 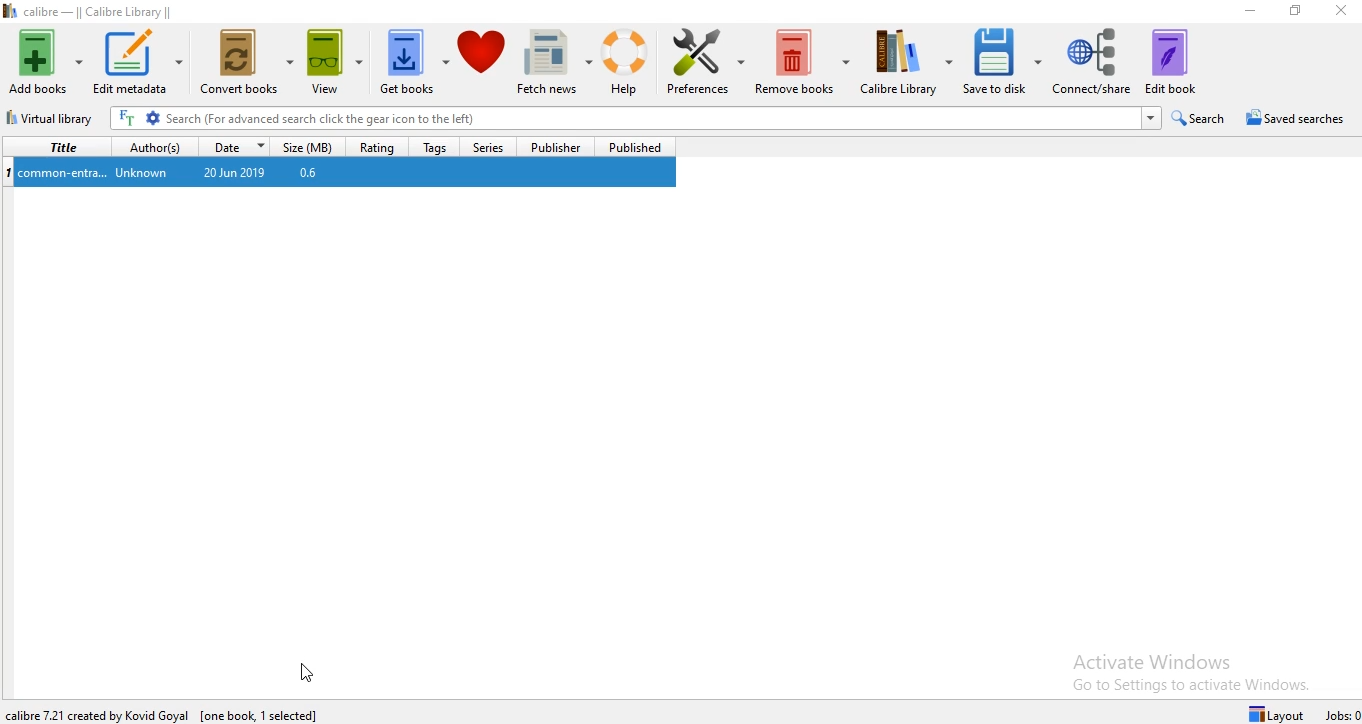 I want to click on Advanced Search, so click(x=152, y=119).